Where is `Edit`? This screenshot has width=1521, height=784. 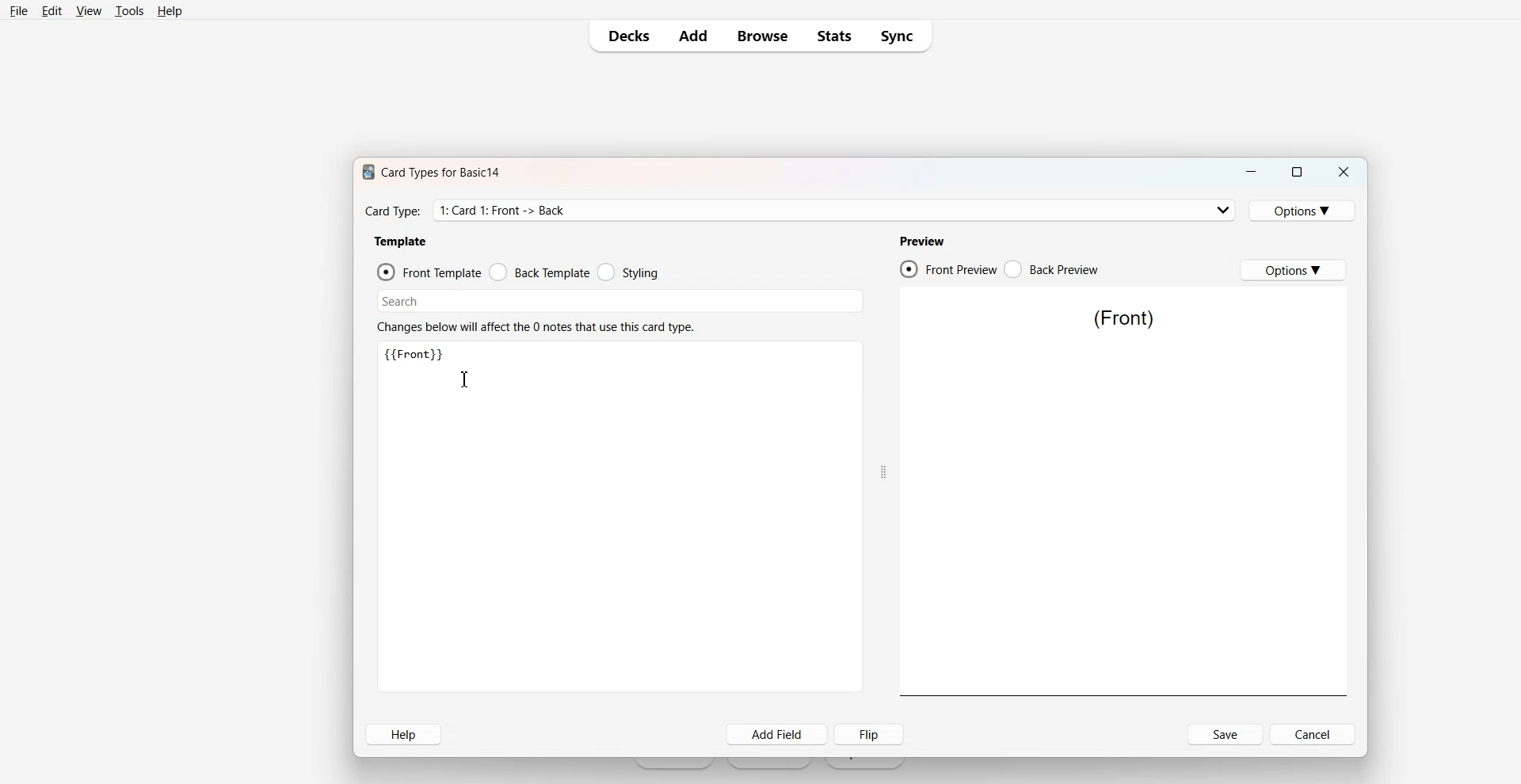 Edit is located at coordinates (51, 11).